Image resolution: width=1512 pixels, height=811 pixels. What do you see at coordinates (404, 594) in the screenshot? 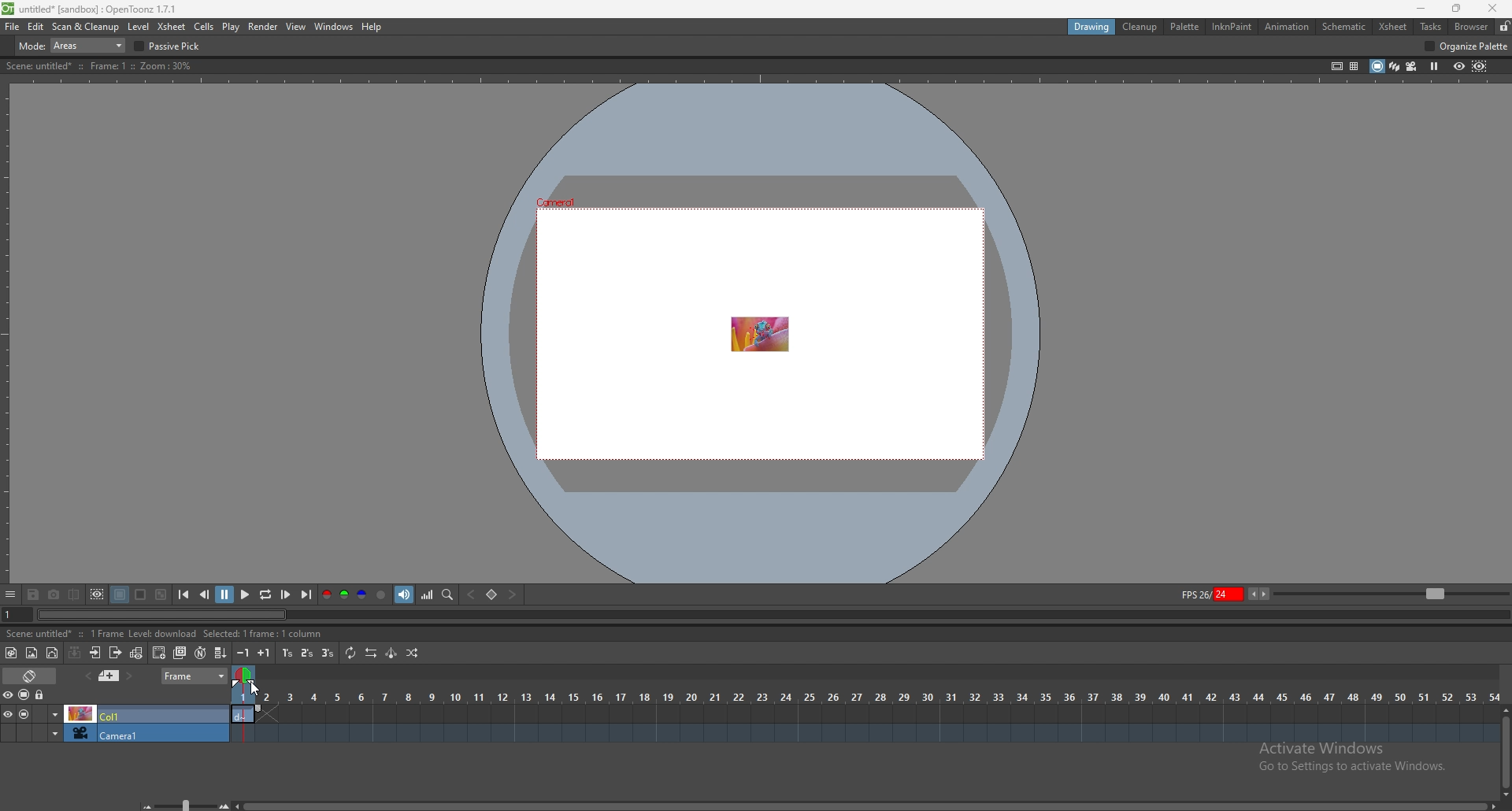
I see `soundtrack` at bounding box center [404, 594].